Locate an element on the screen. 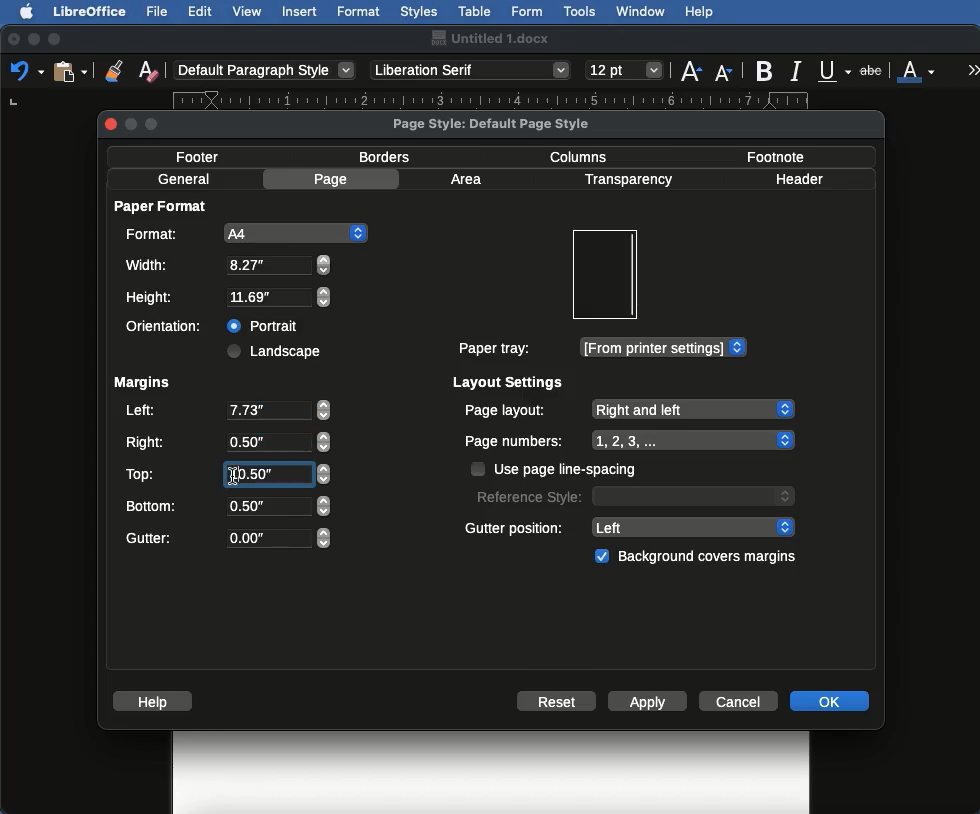 This screenshot has height=814, width=980. Minimize is located at coordinates (33, 39).